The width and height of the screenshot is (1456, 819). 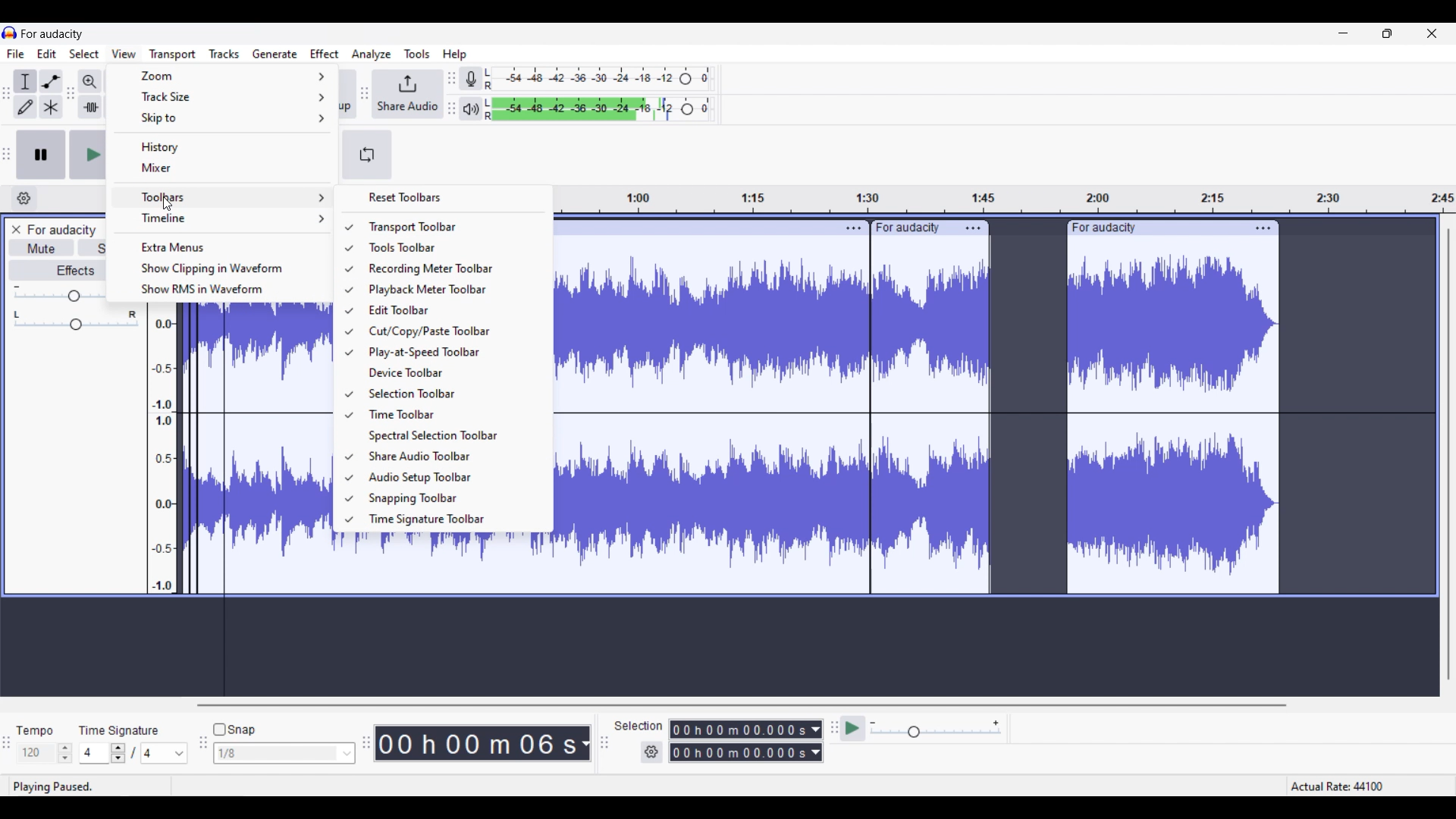 I want to click on Recording level, so click(x=598, y=79).